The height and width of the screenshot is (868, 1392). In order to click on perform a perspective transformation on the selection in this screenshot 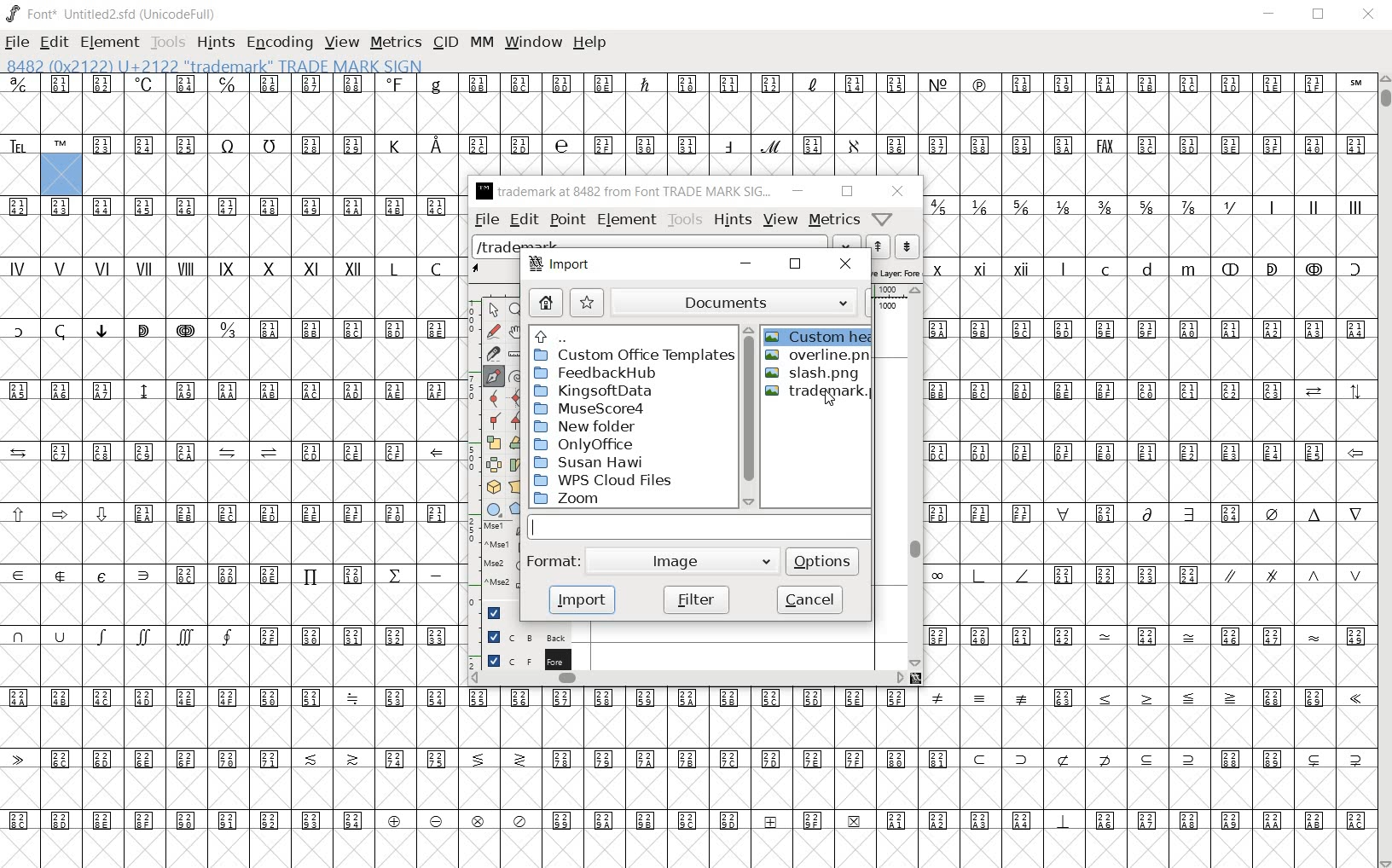, I will do `click(515, 485)`.